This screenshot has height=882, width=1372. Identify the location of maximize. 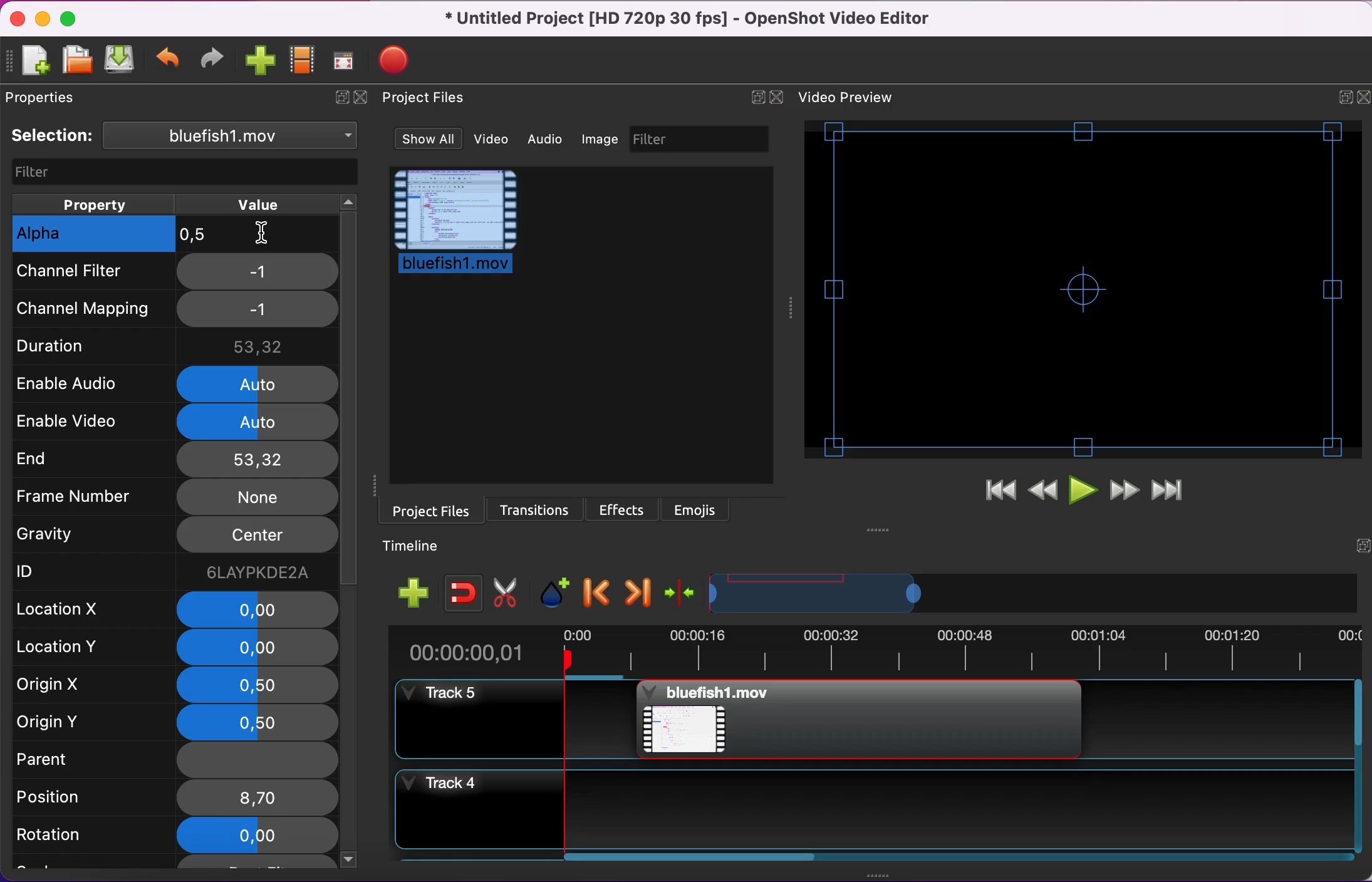
(72, 22).